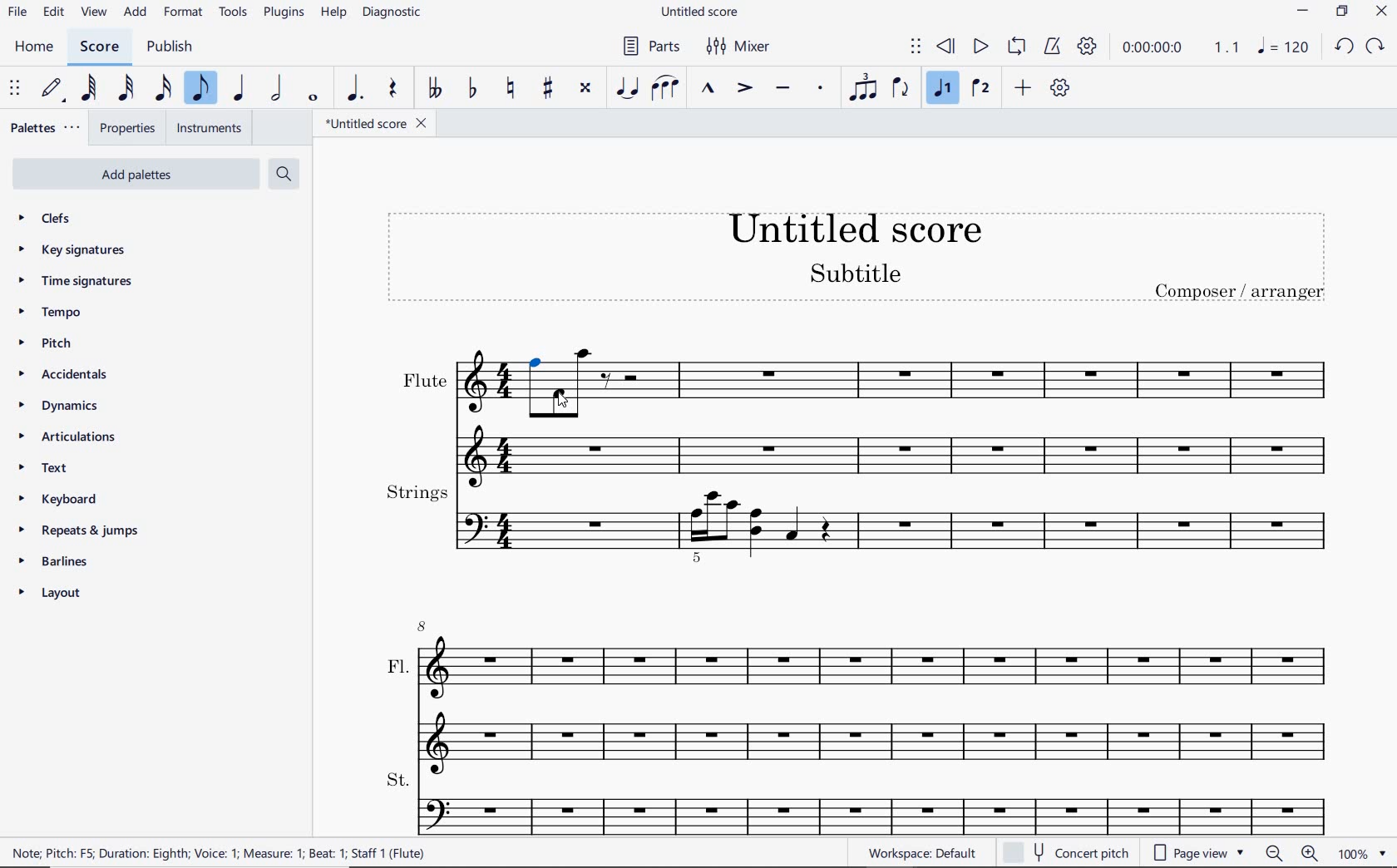  I want to click on articulations, so click(67, 437).